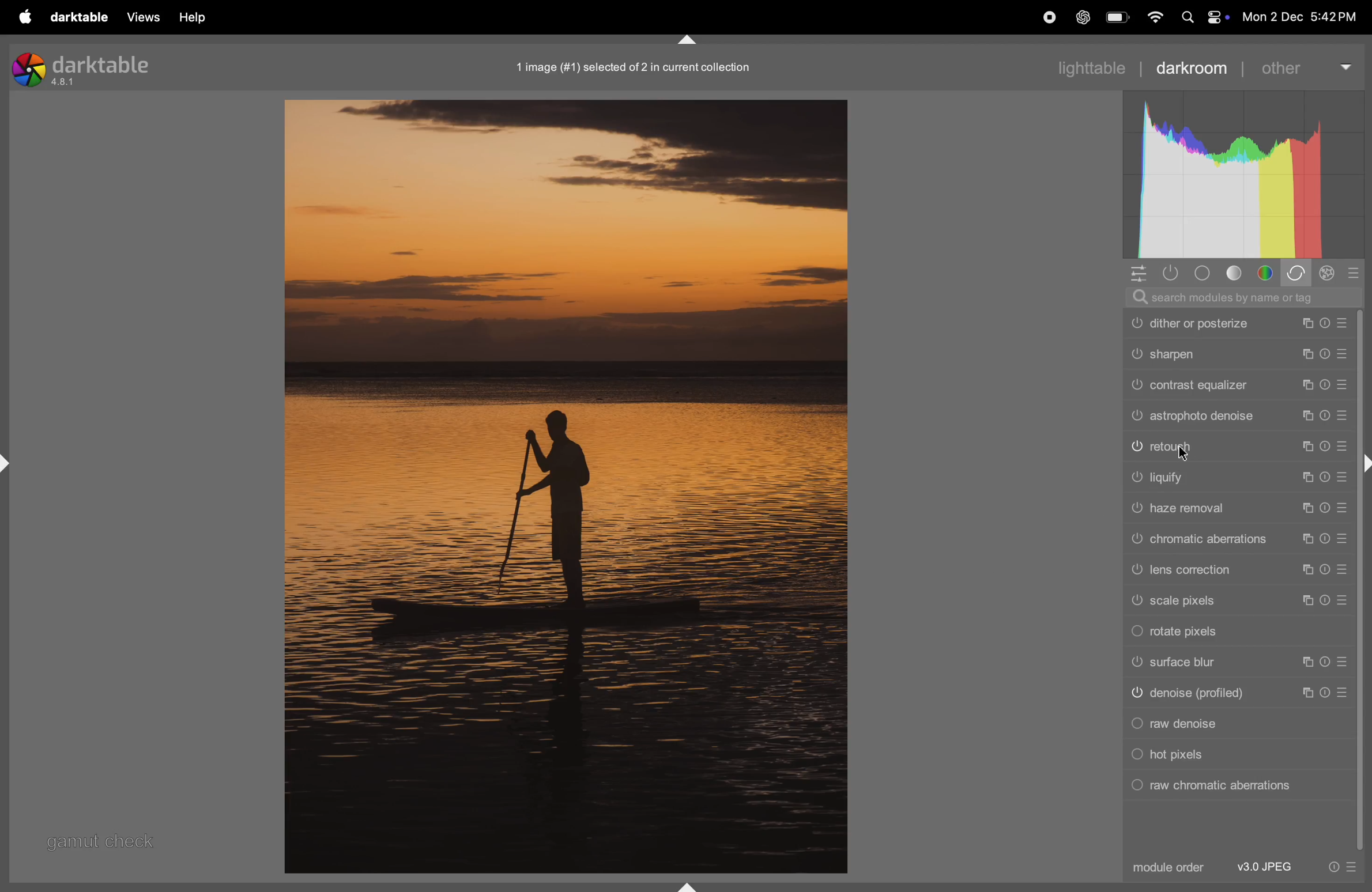  I want to click on views, so click(145, 17).